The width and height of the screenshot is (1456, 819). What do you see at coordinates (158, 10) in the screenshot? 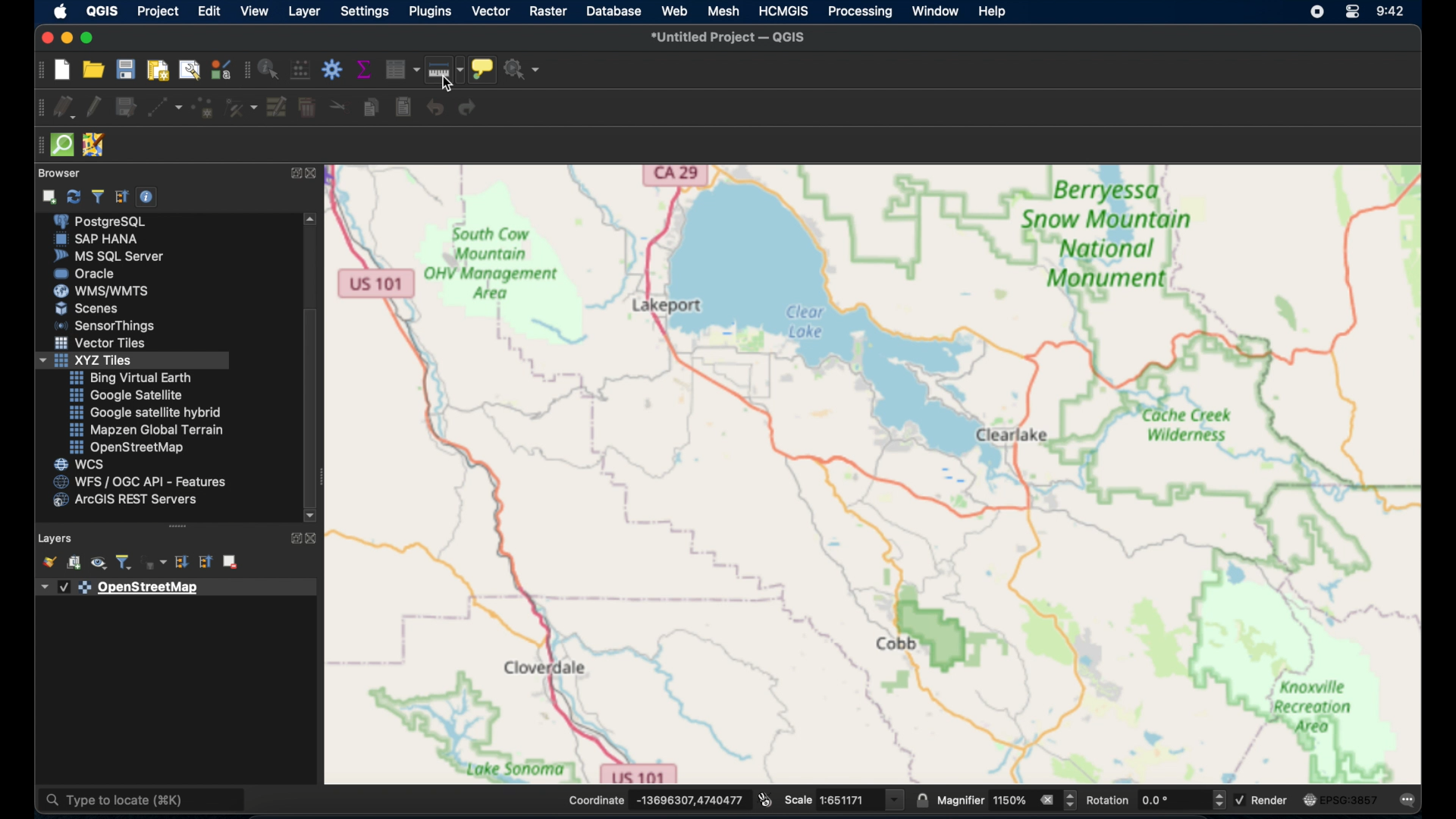
I see `project` at bounding box center [158, 10].